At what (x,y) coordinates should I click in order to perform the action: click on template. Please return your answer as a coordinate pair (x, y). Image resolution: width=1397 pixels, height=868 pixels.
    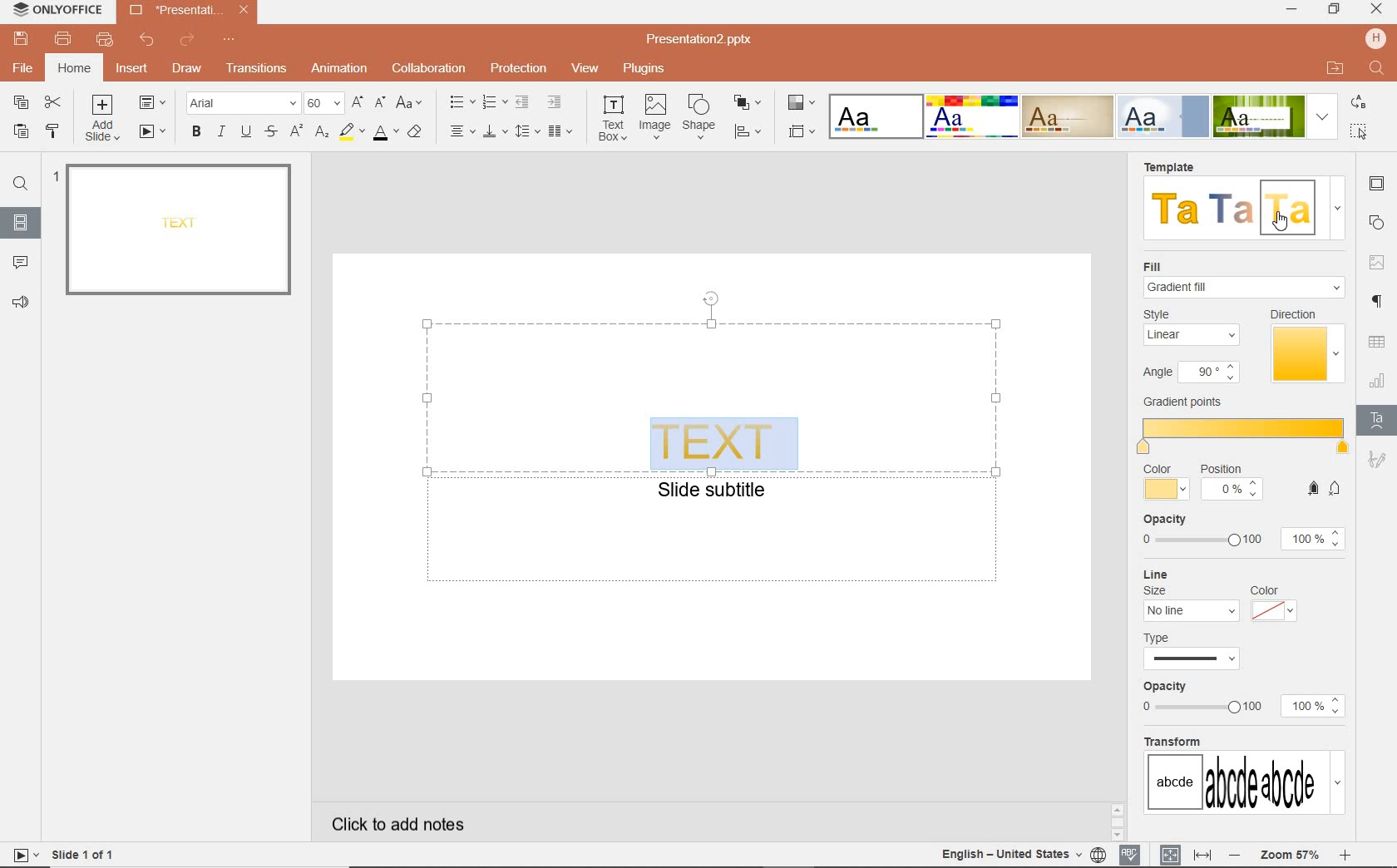
    Looking at the image, I should click on (1177, 209).